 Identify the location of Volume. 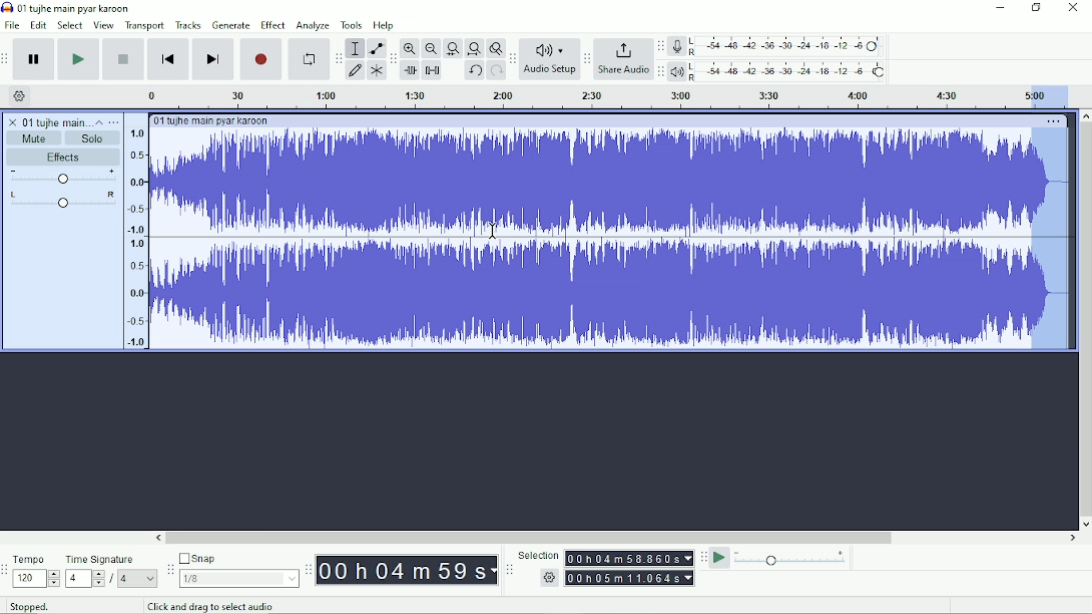
(63, 177).